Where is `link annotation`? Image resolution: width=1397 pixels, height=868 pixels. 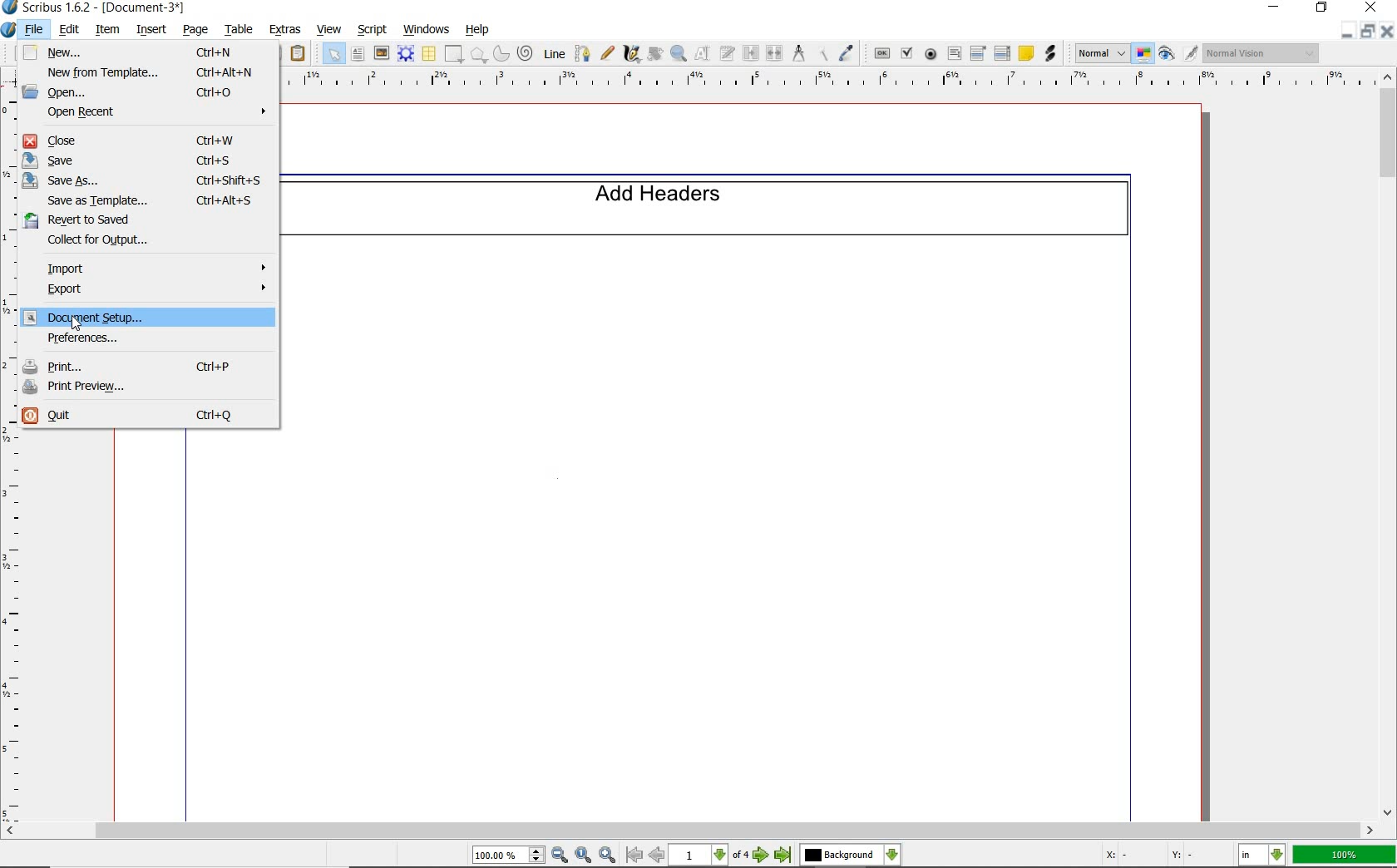
link annotation is located at coordinates (1053, 55).